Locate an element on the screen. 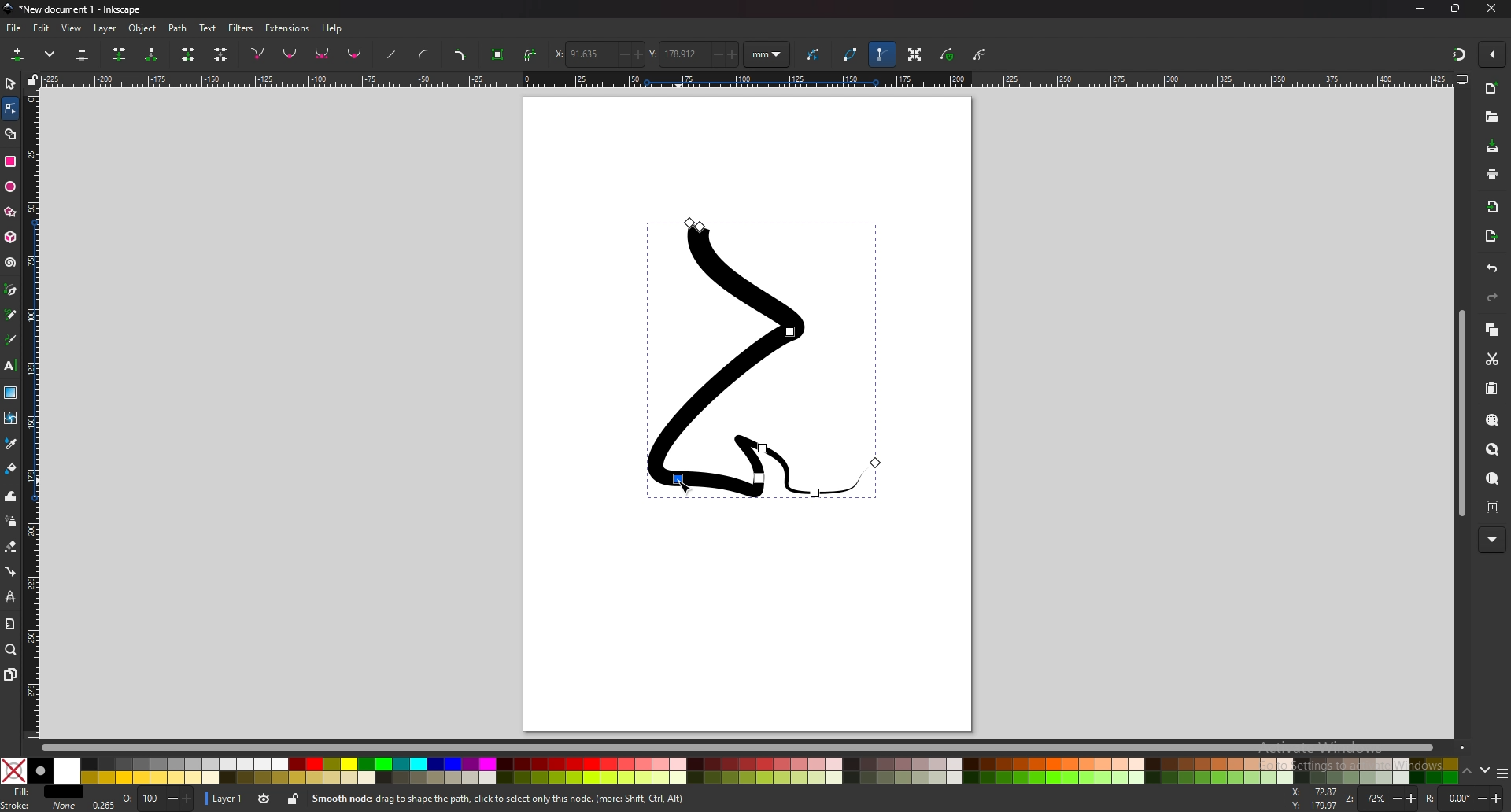 The width and height of the screenshot is (1511, 812). smooth is located at coordinates (291, 54).